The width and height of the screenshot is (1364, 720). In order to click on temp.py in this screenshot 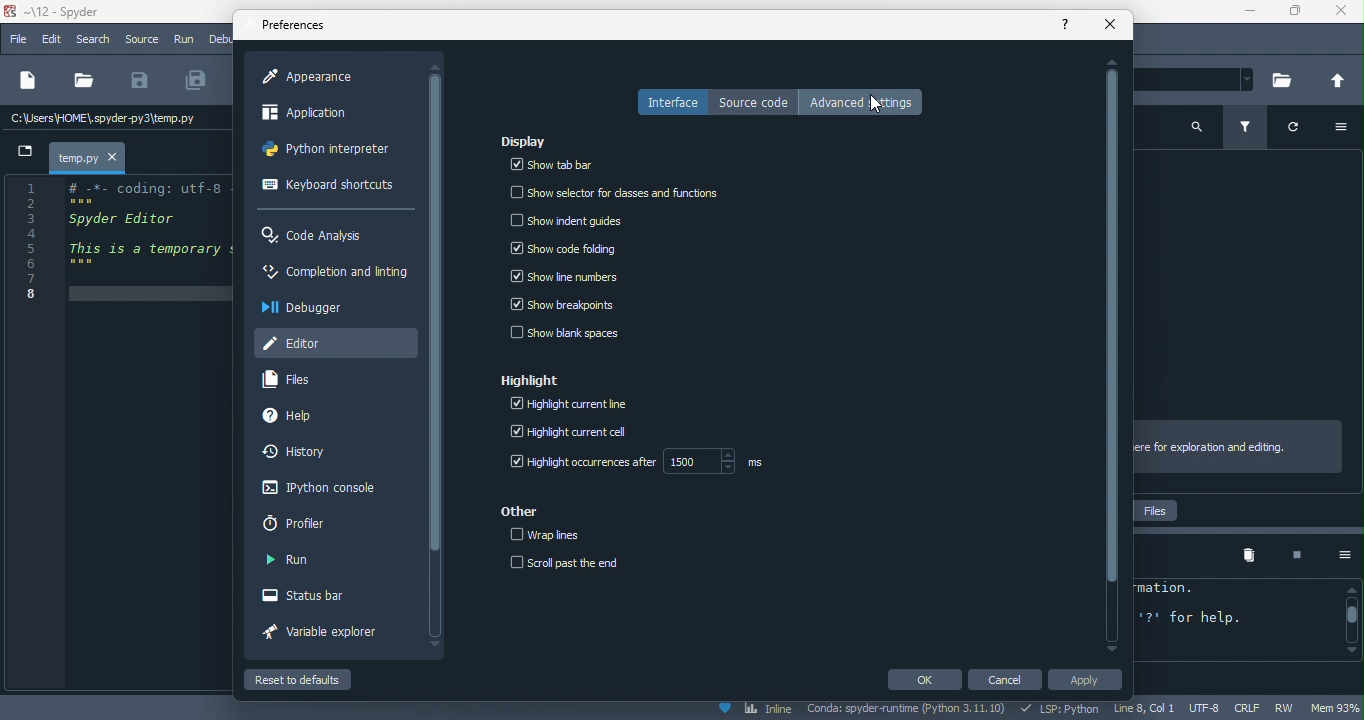, I will do `click(78, 158)`.